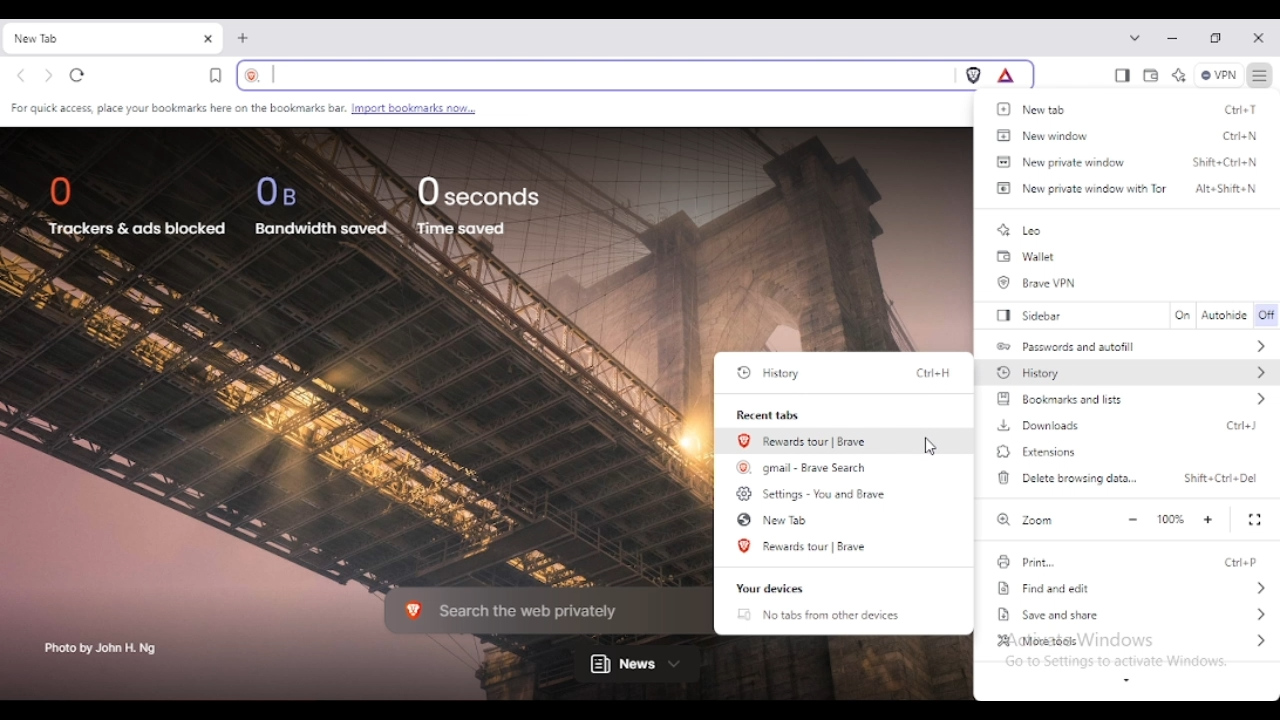  Describe the element at coordinates (1038, 425) in the screenshot. I see `downloads` at that location.